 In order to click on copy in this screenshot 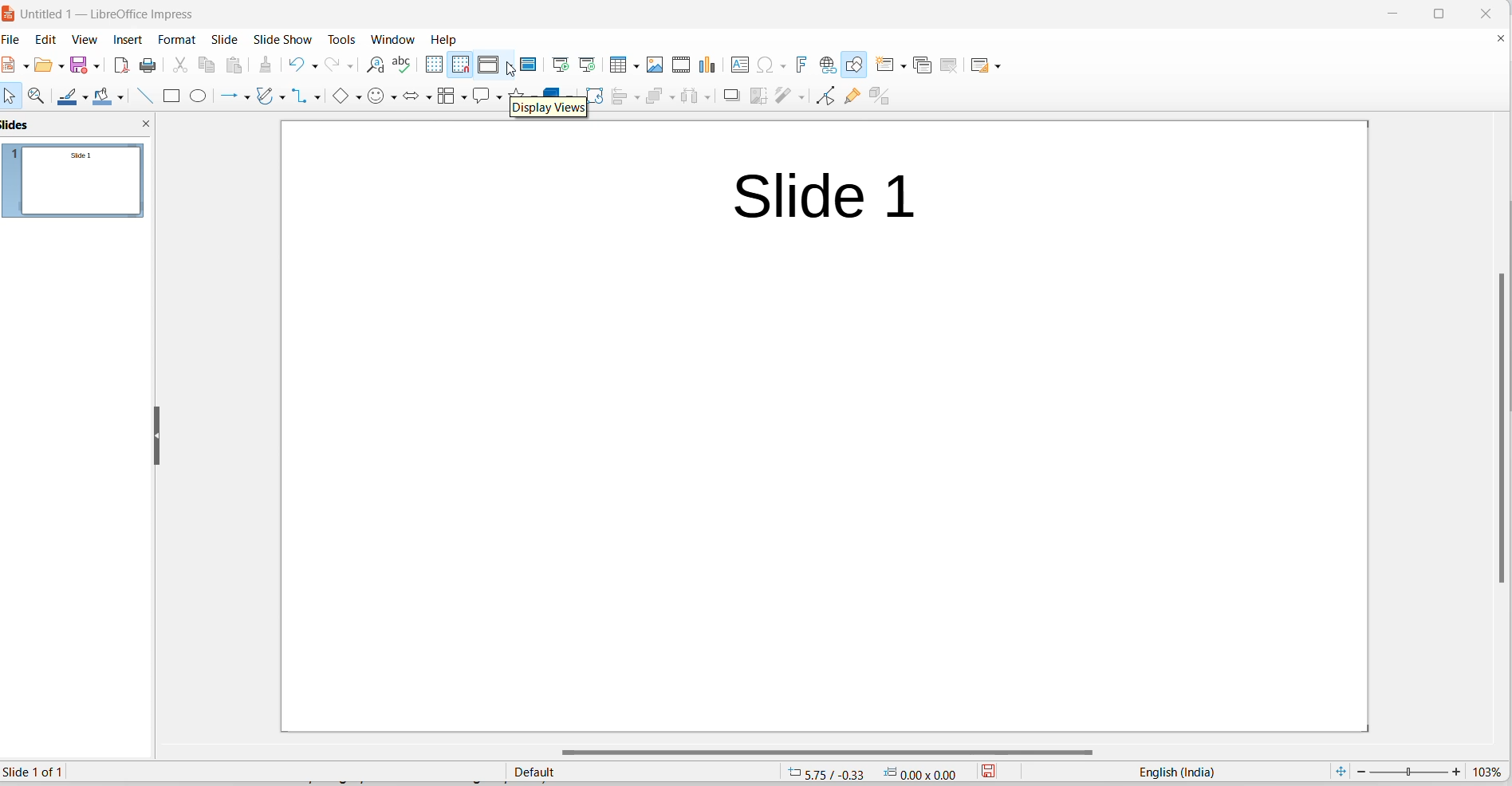, I will do `click(208, 65)`.